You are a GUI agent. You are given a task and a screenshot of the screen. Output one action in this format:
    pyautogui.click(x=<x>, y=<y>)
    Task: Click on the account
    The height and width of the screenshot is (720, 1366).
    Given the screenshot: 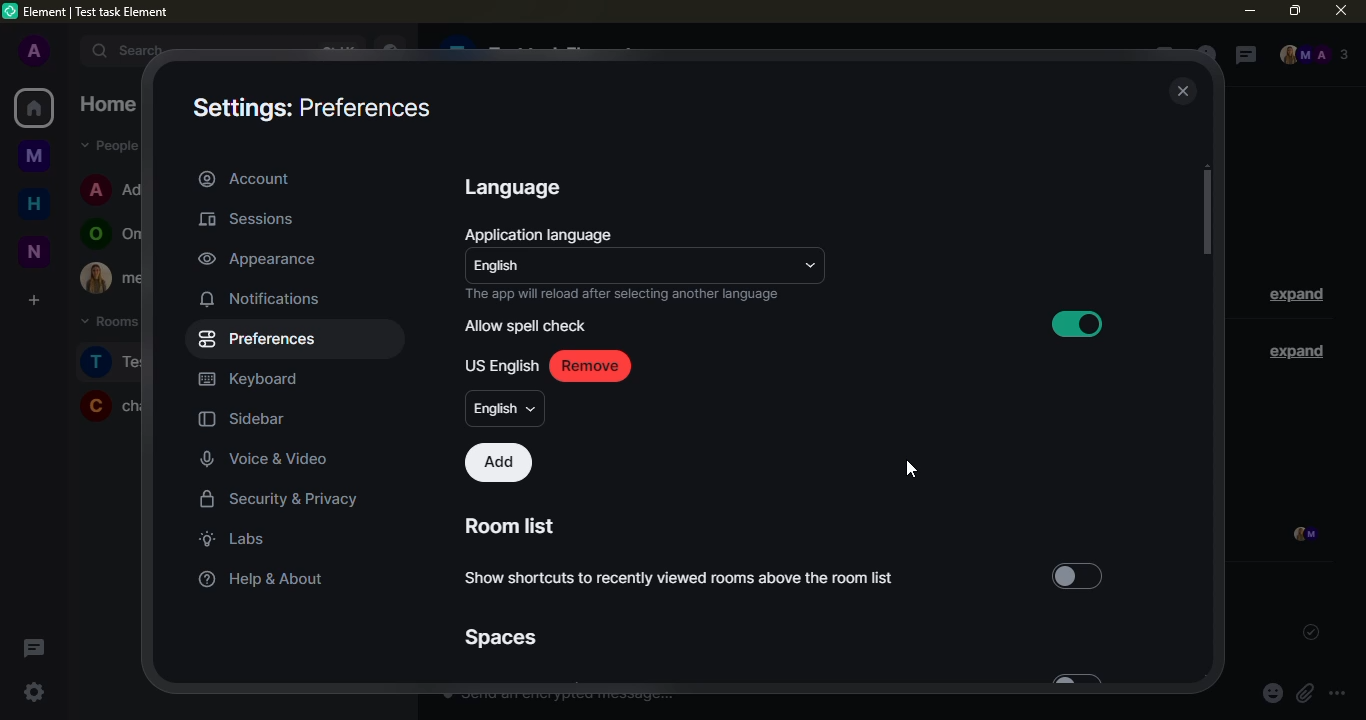 What is the action you would take?
    pyautogui.click(x=245, y=178)
    